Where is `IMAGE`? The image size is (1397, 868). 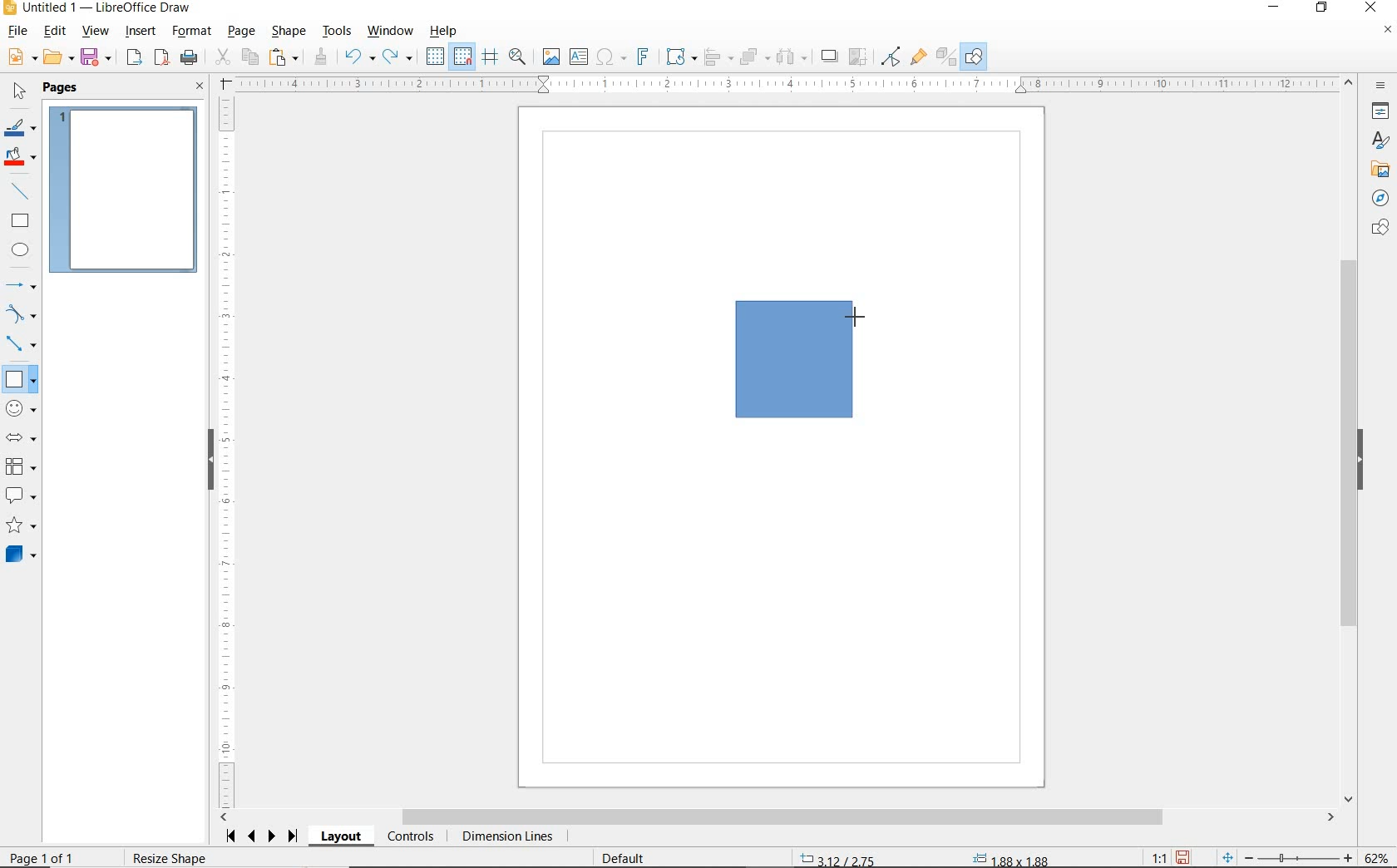
IMAGE is located at coordinates (550, 56).